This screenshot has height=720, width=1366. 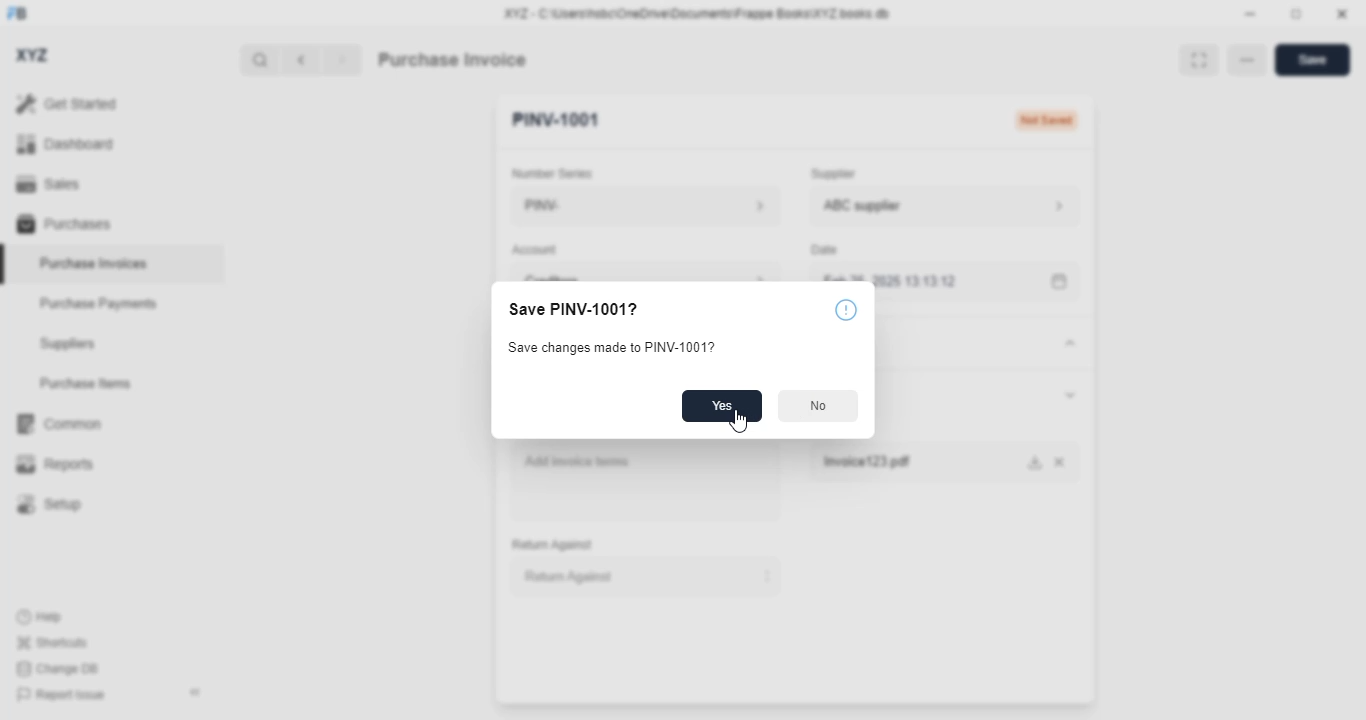 What do you see at coordinates (1342, 13) in the screenshot?
I see `close` at bounding box center [1342, 13].